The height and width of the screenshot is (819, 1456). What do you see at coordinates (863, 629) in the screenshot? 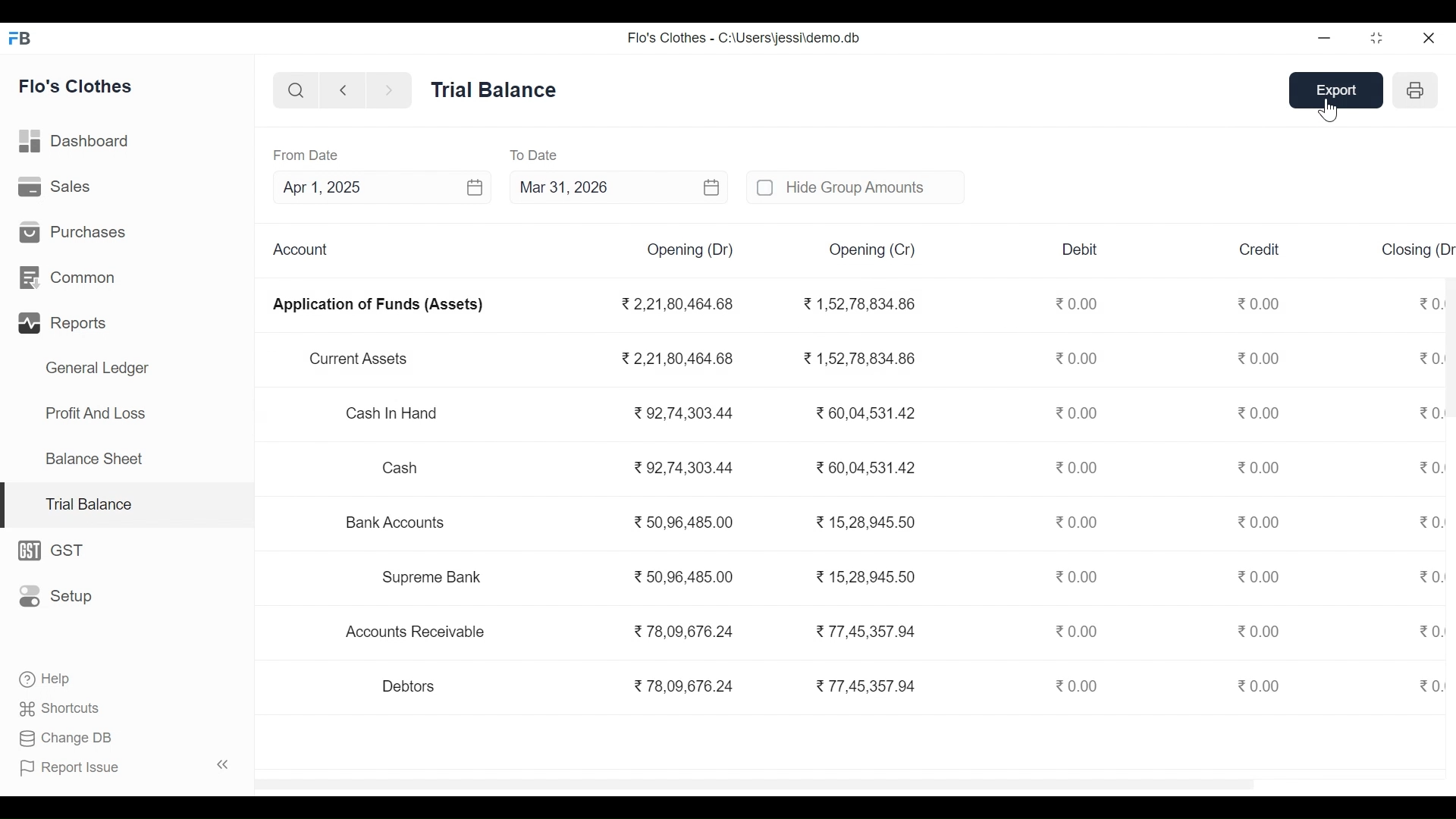
I see `77.45.357.94` at bounding box center [863, 629].